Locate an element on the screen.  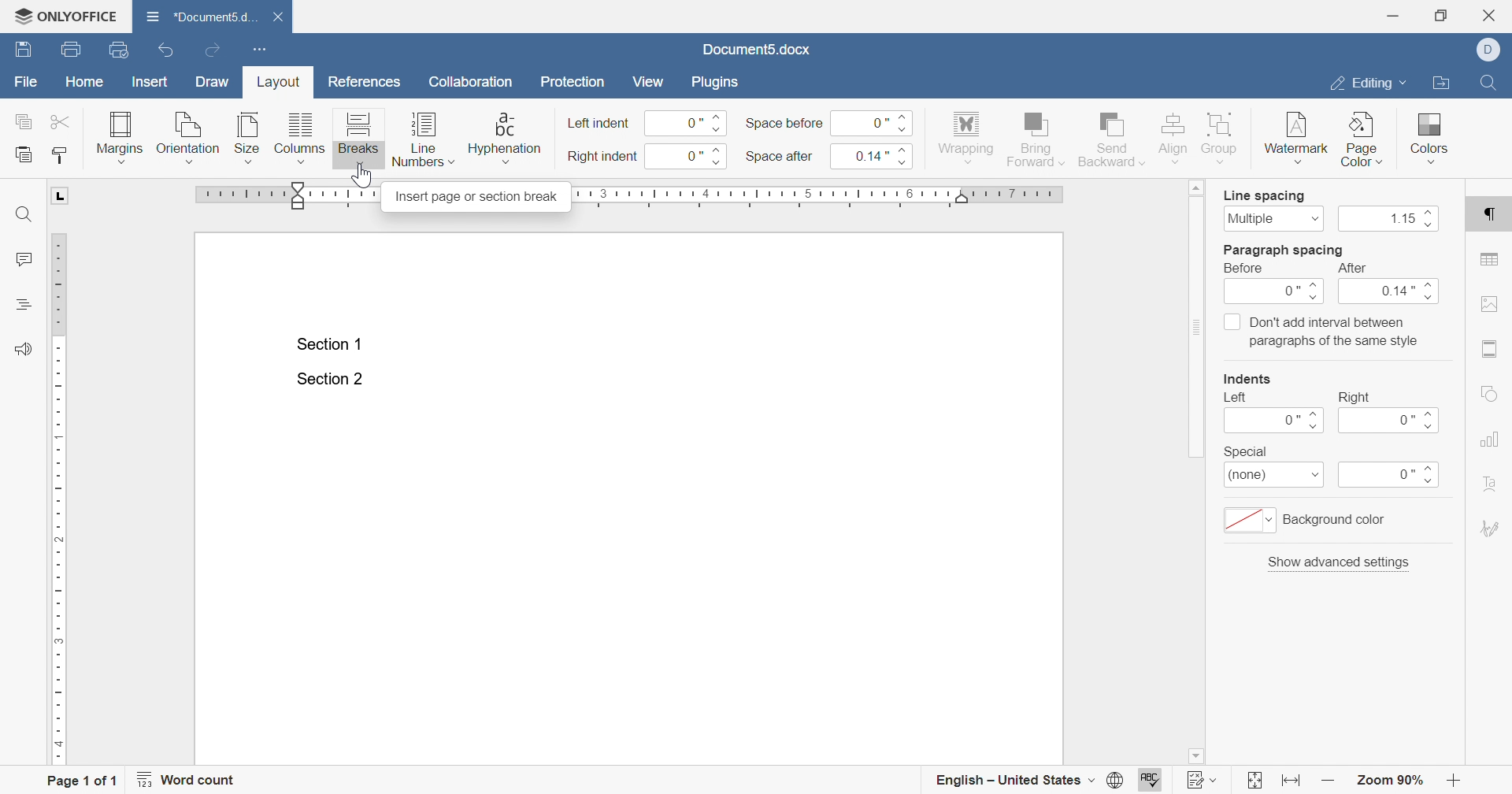
0 is located at coordinates (689, 123).